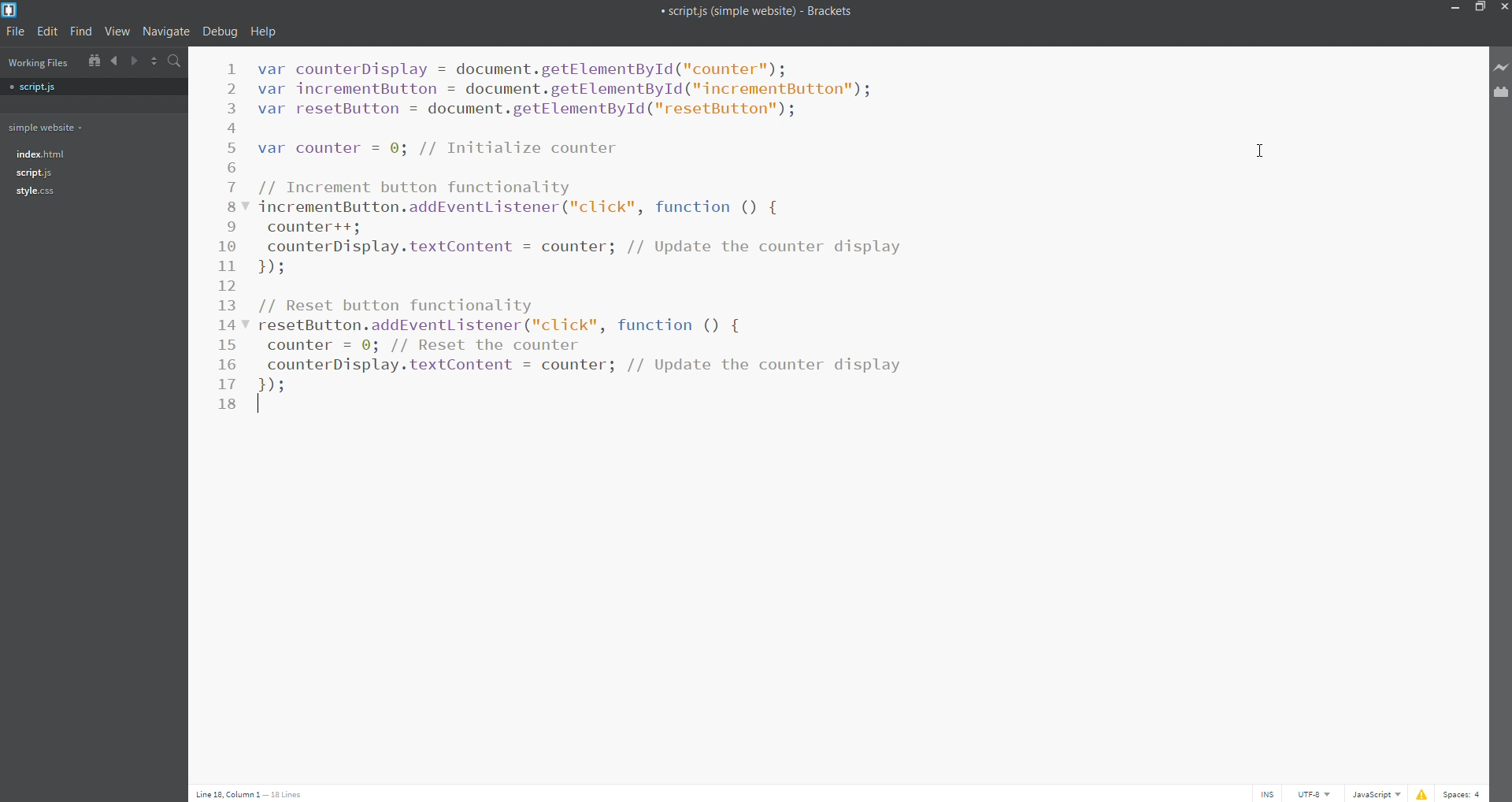  What do you see at coordinates (601, 221) in the screenshot?
I see `Increment and Reset button functionality Code` at bounding box center [601, 221].